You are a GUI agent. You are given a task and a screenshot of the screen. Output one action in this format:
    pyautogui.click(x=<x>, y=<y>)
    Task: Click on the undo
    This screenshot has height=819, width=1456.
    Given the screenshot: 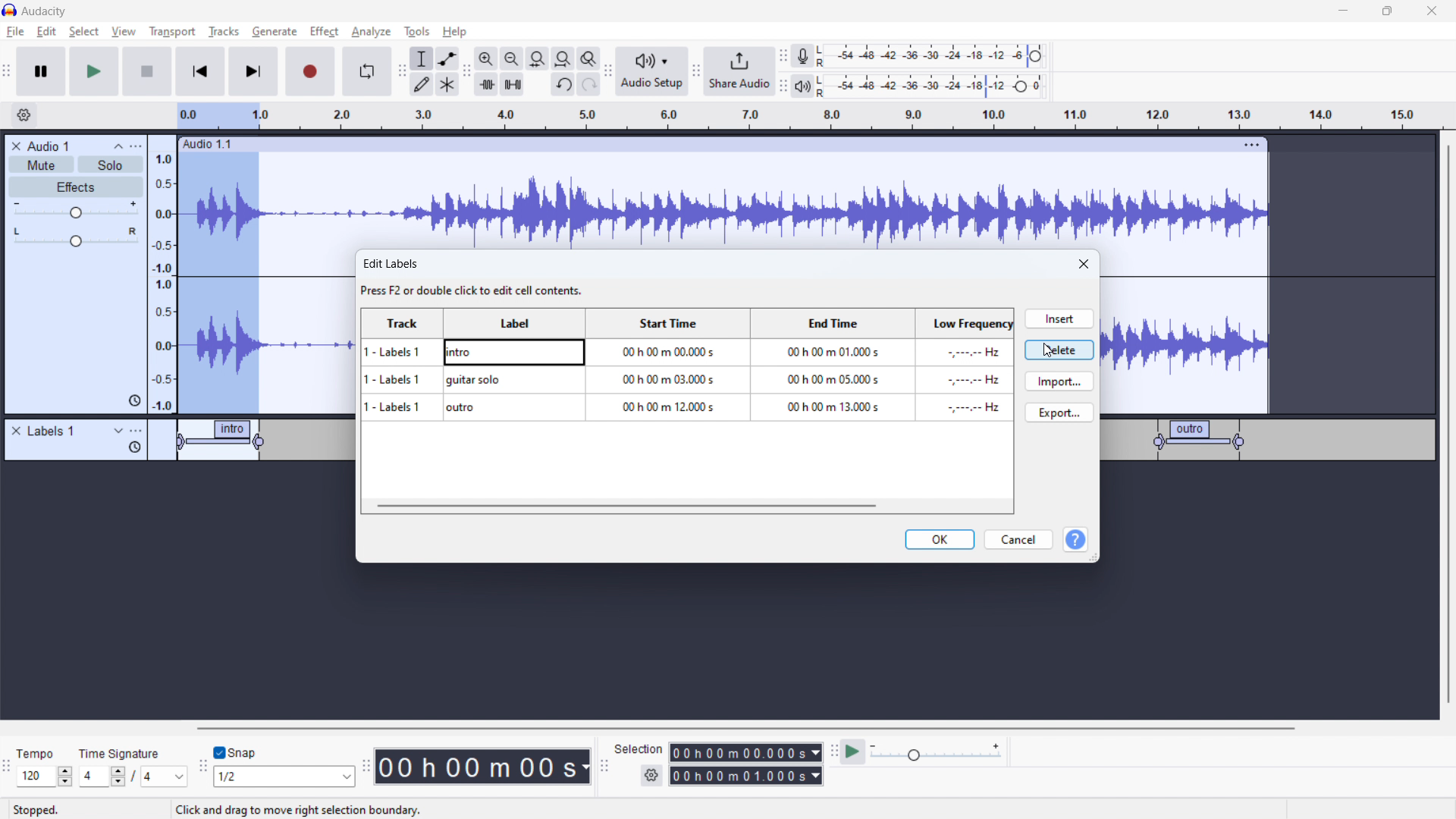 What is the action you would take?
    pyautogui.click(x=563, y=86)
    